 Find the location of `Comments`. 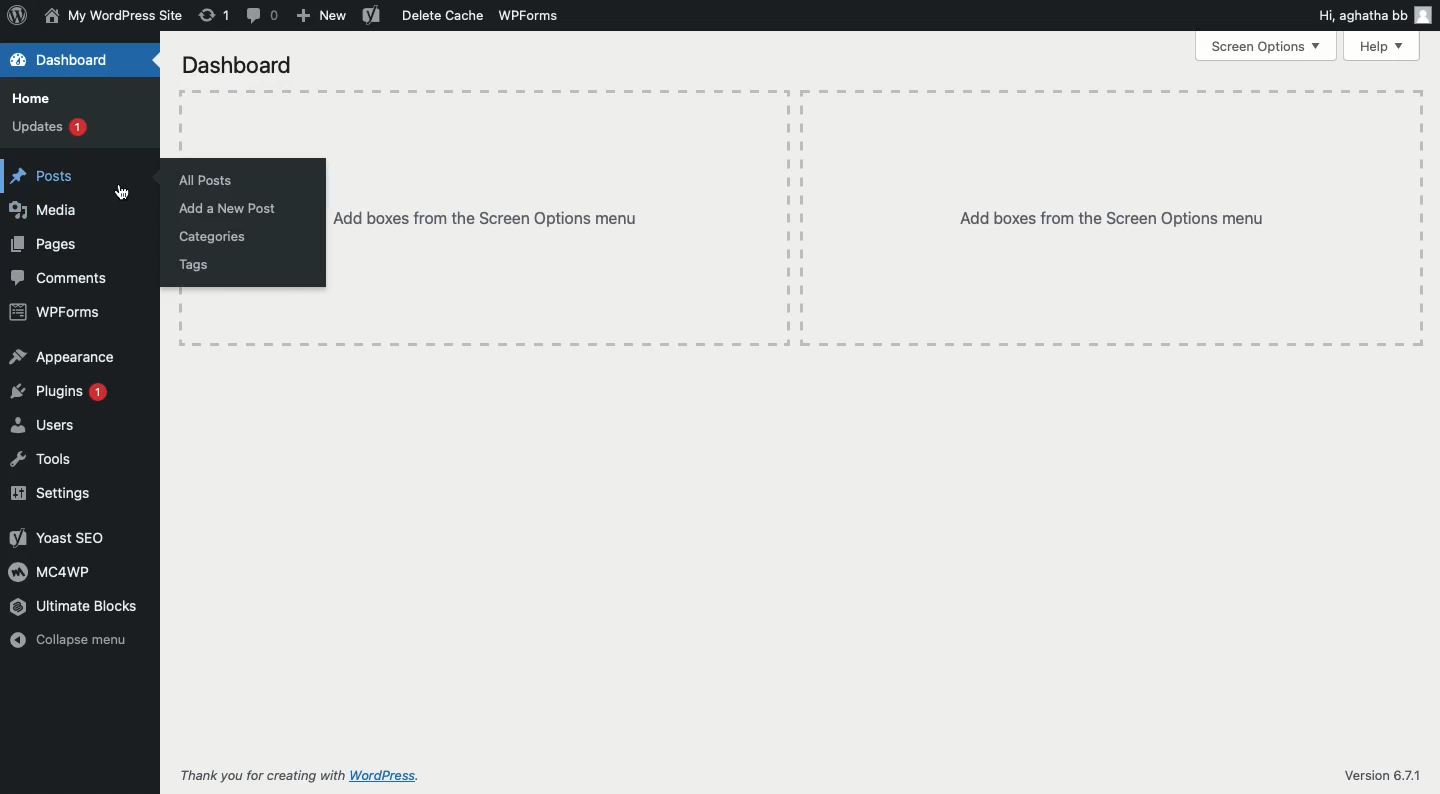

Comments is located at coordinates (61, 277).